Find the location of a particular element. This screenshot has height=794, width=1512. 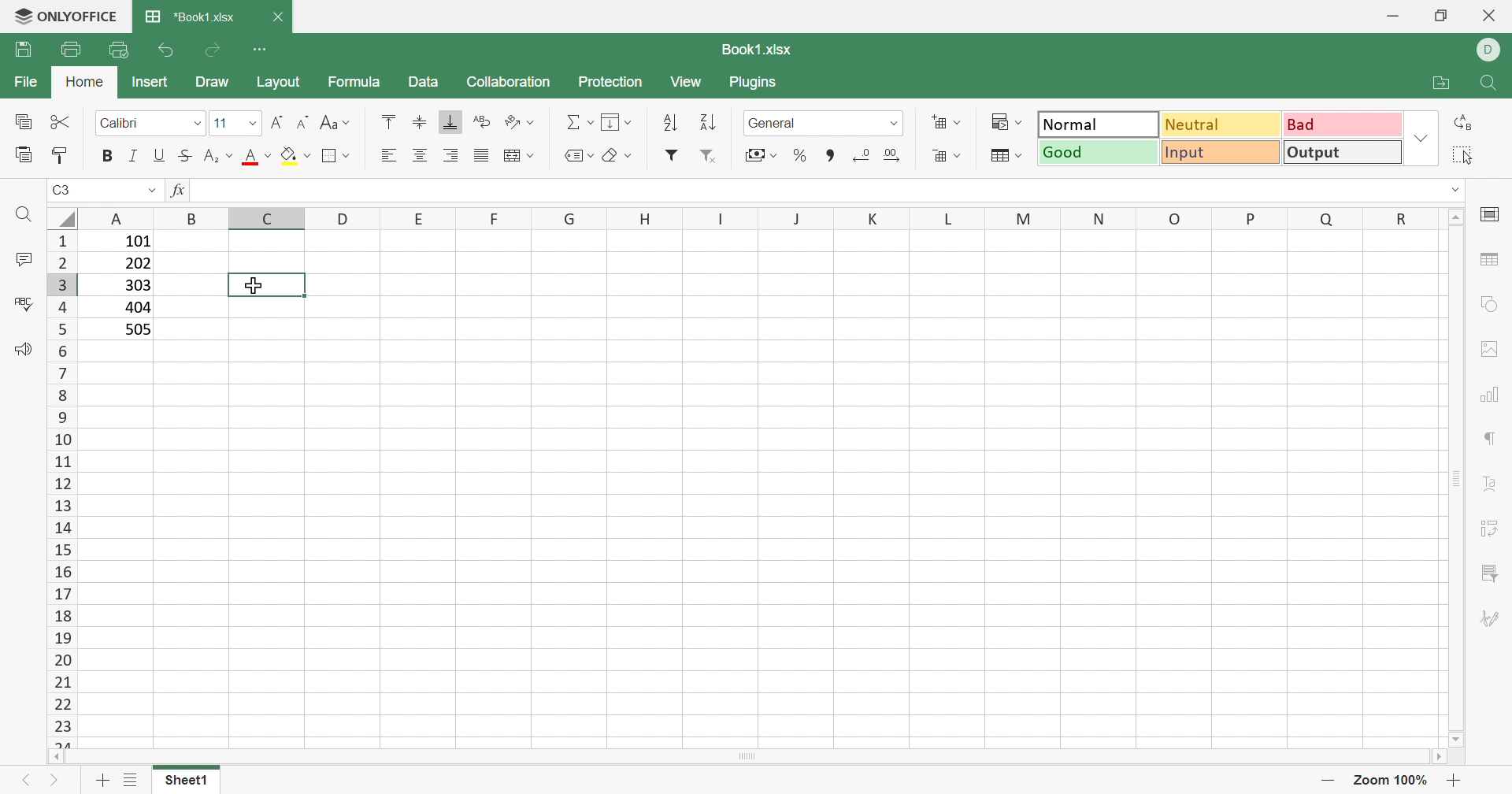

Increase decimals is located at coordinates (896, 156).